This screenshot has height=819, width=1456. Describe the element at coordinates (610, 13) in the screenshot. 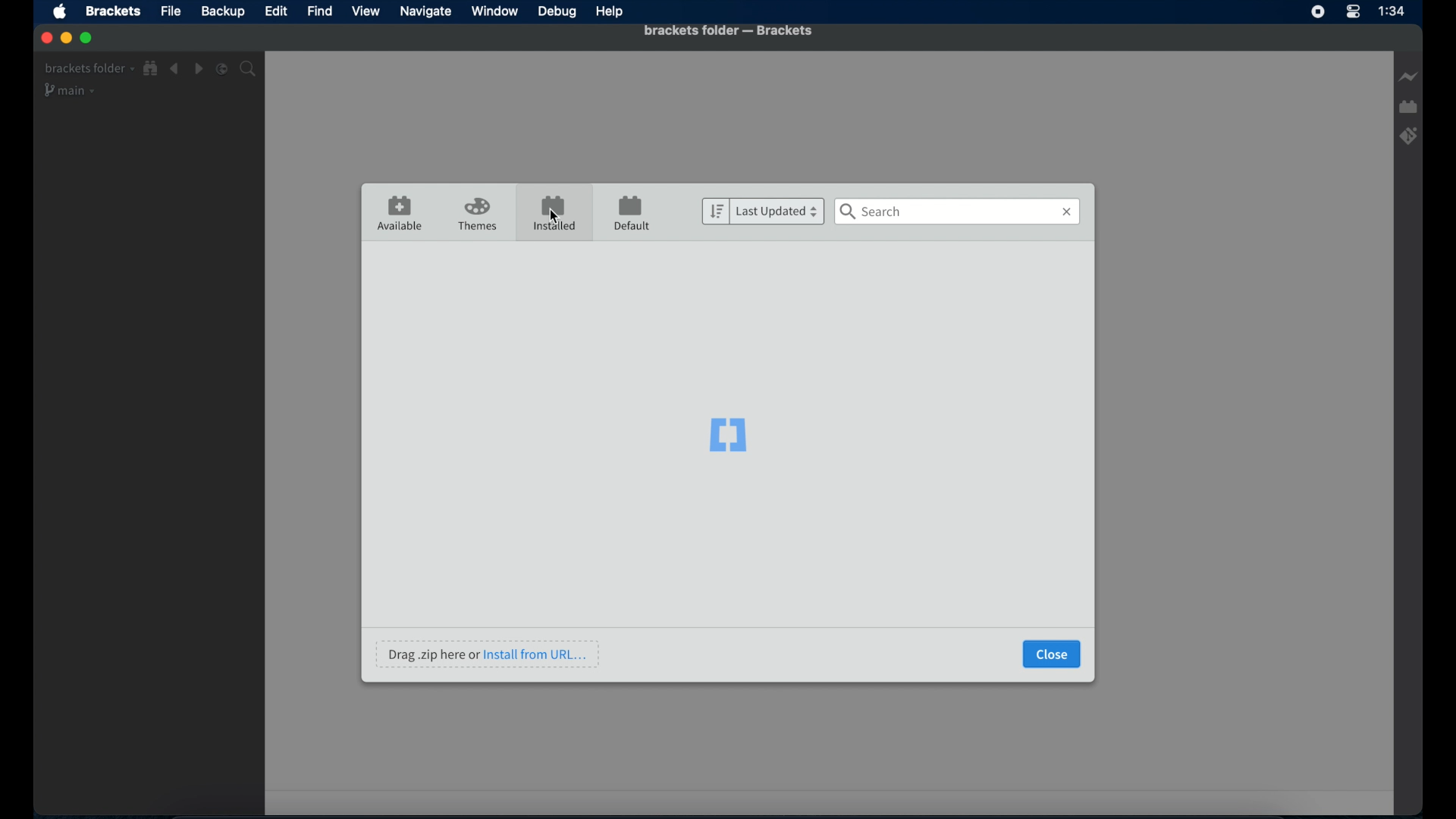

I see `Help` at that location.